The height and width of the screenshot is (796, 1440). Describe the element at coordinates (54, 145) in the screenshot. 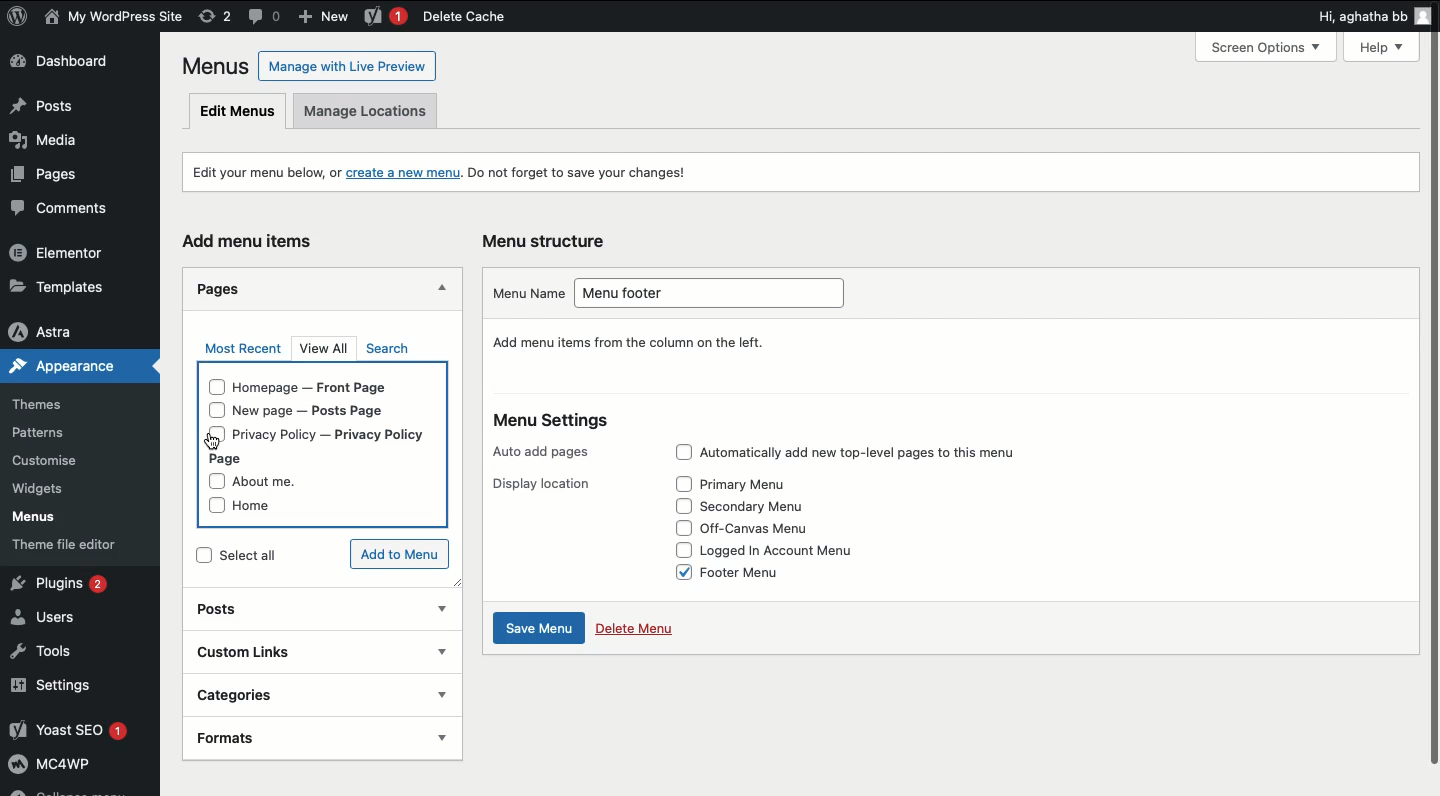

I see `Media` at that location.